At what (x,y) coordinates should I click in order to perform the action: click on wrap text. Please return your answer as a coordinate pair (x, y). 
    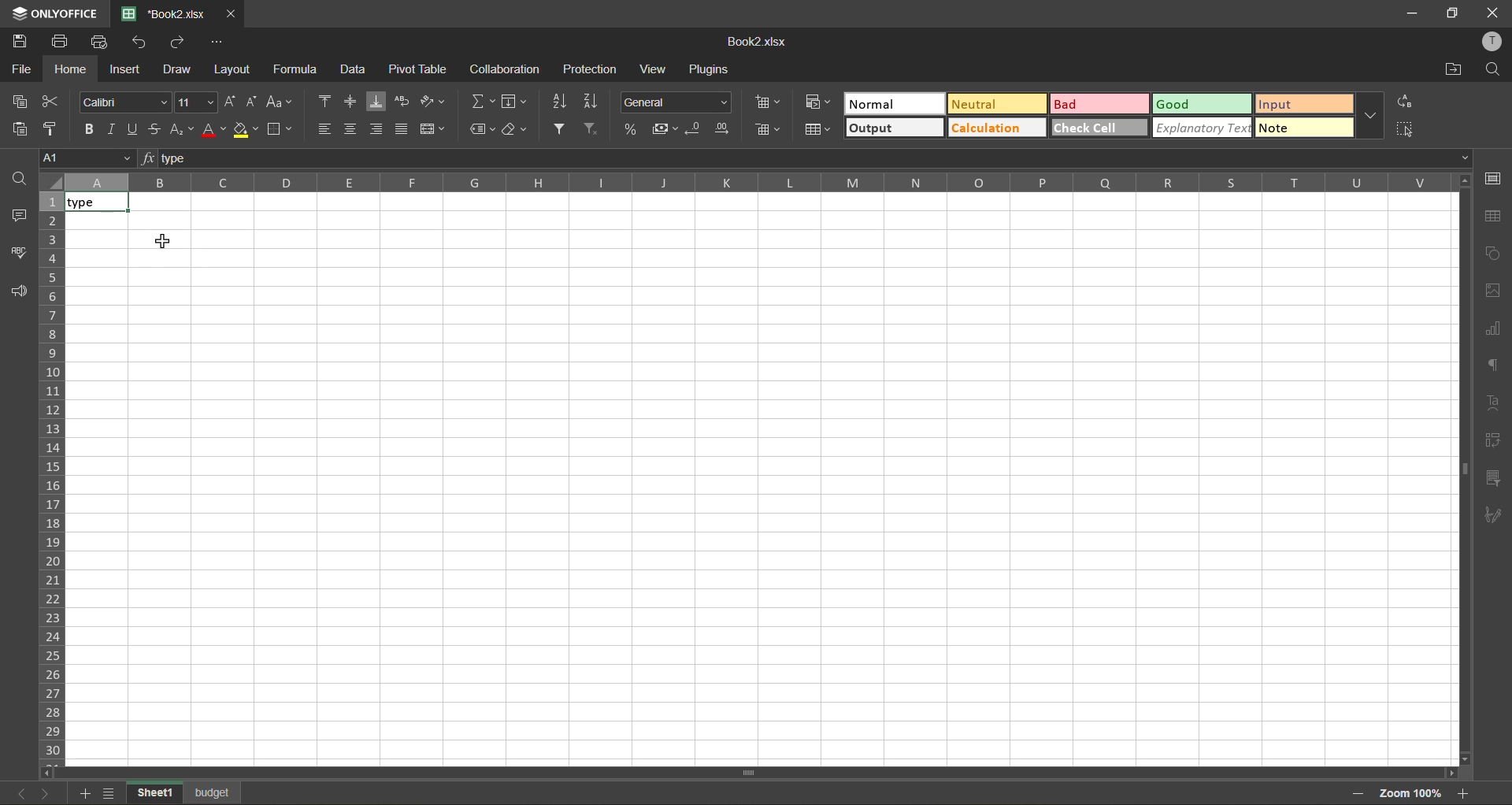
    Looking at the image, I should click on (402, 101).